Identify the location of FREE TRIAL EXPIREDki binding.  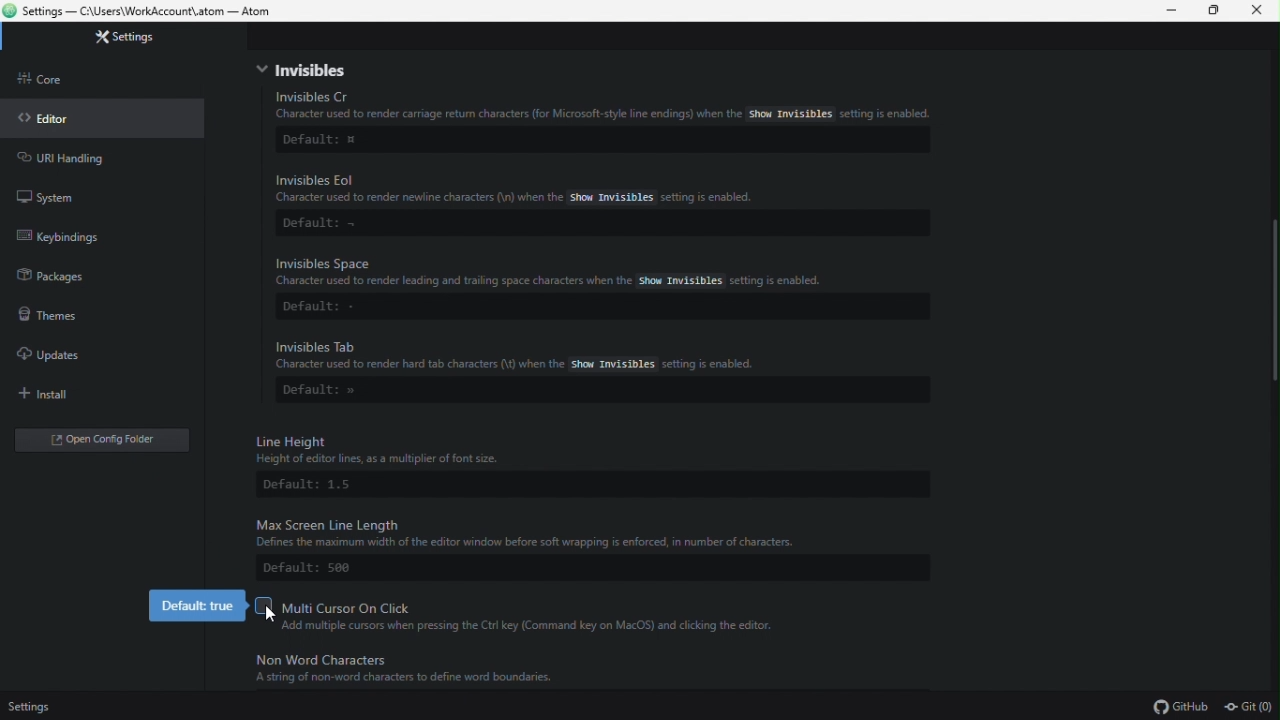
(99, 240).